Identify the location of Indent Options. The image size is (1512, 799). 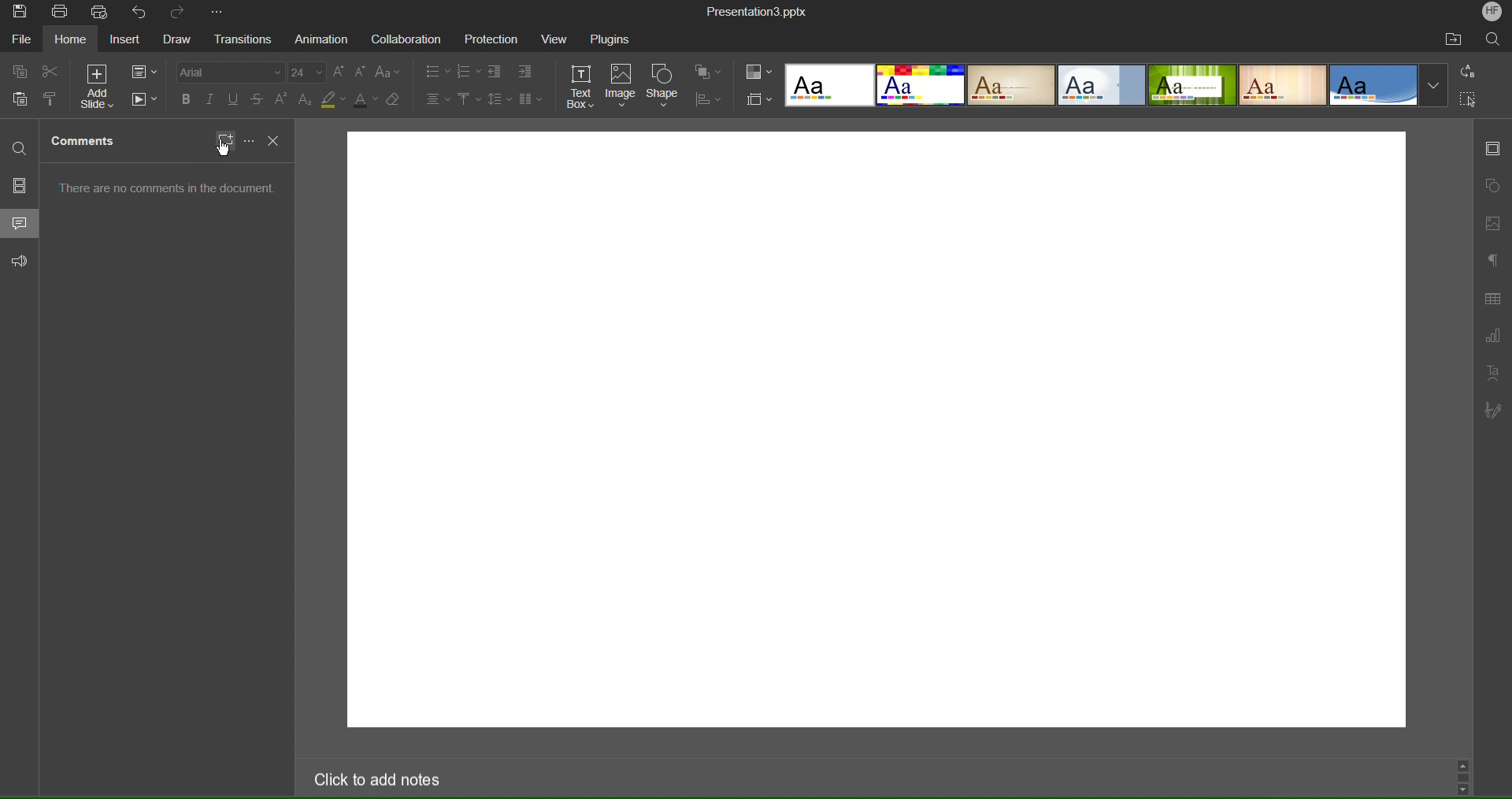
(524, 72).